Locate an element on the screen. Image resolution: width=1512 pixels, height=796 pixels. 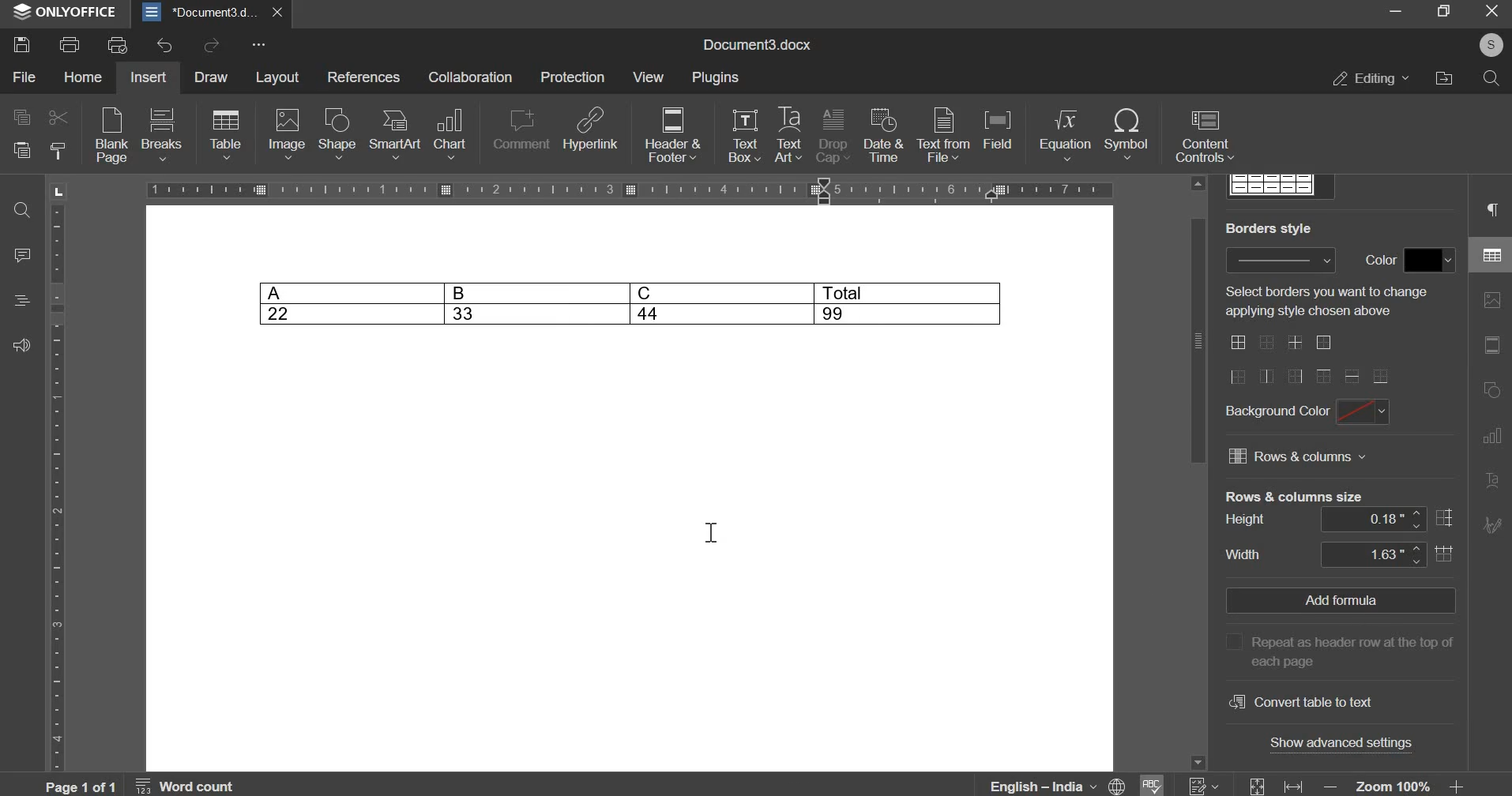
close is located at coordinates (277, 13).